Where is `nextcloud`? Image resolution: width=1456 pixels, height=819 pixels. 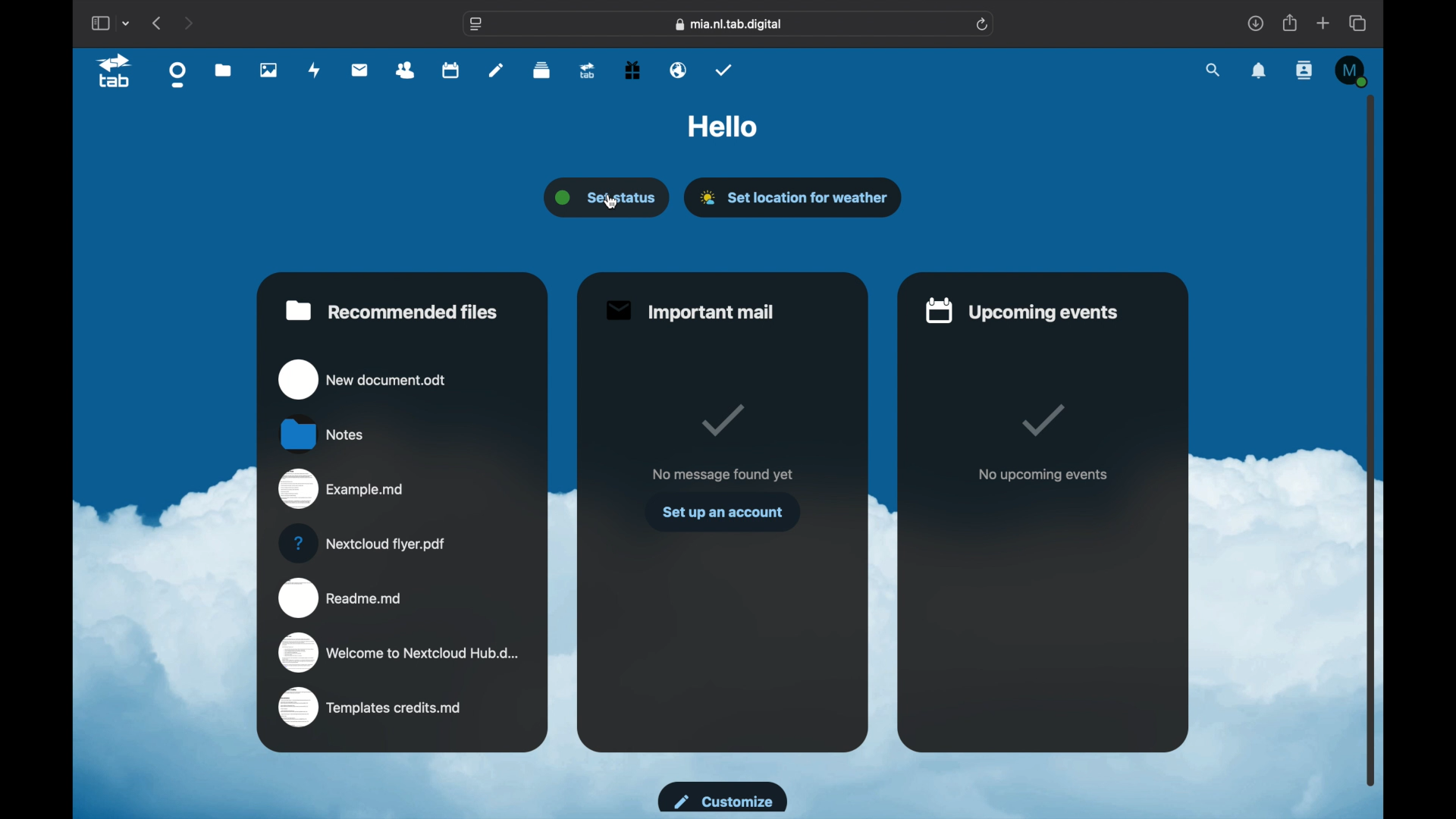 nextcloud is located at coordinates (366, 543).